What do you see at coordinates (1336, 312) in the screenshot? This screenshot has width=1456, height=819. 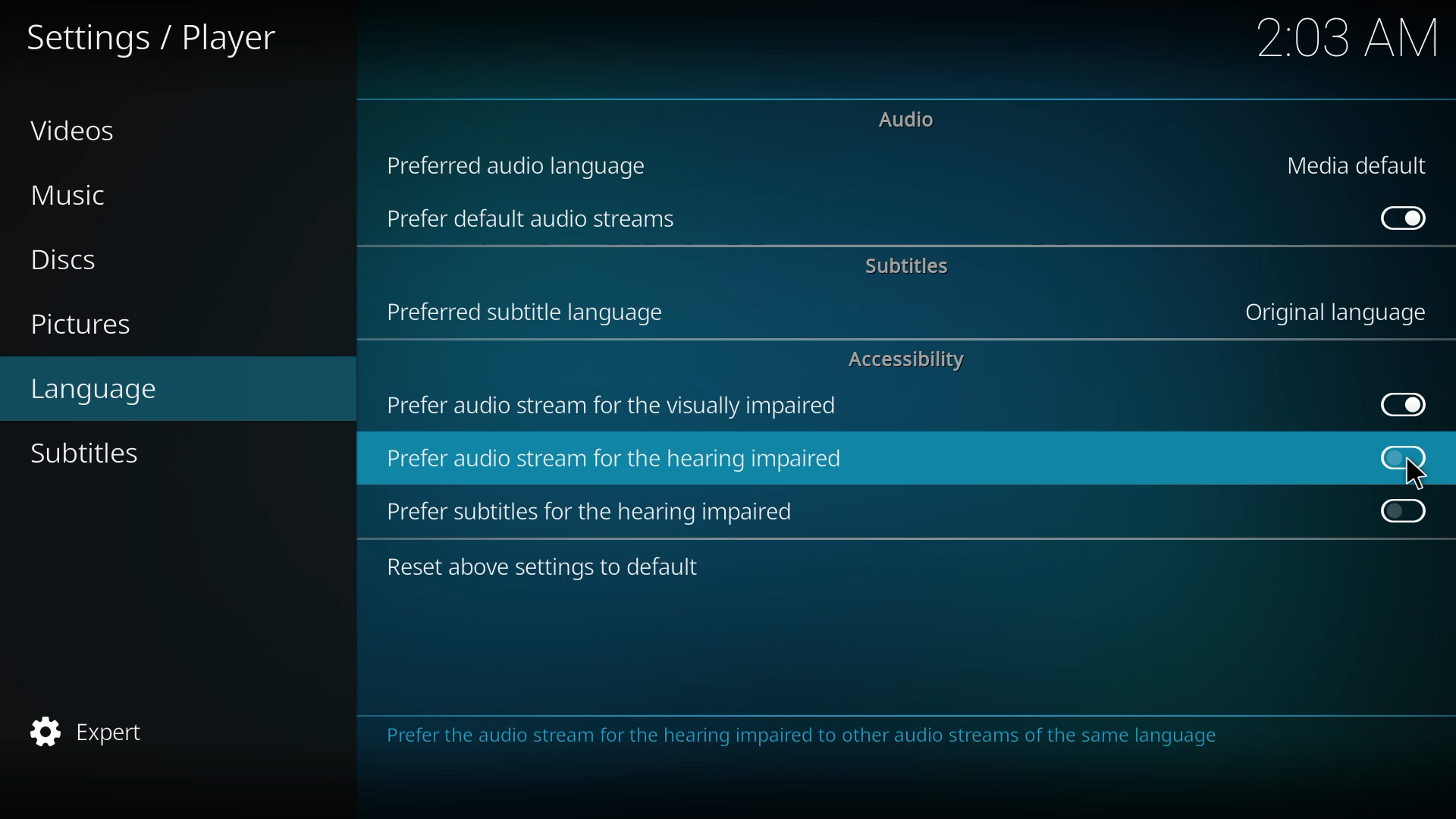 I see `original language` at bounding box center [1336, 312].